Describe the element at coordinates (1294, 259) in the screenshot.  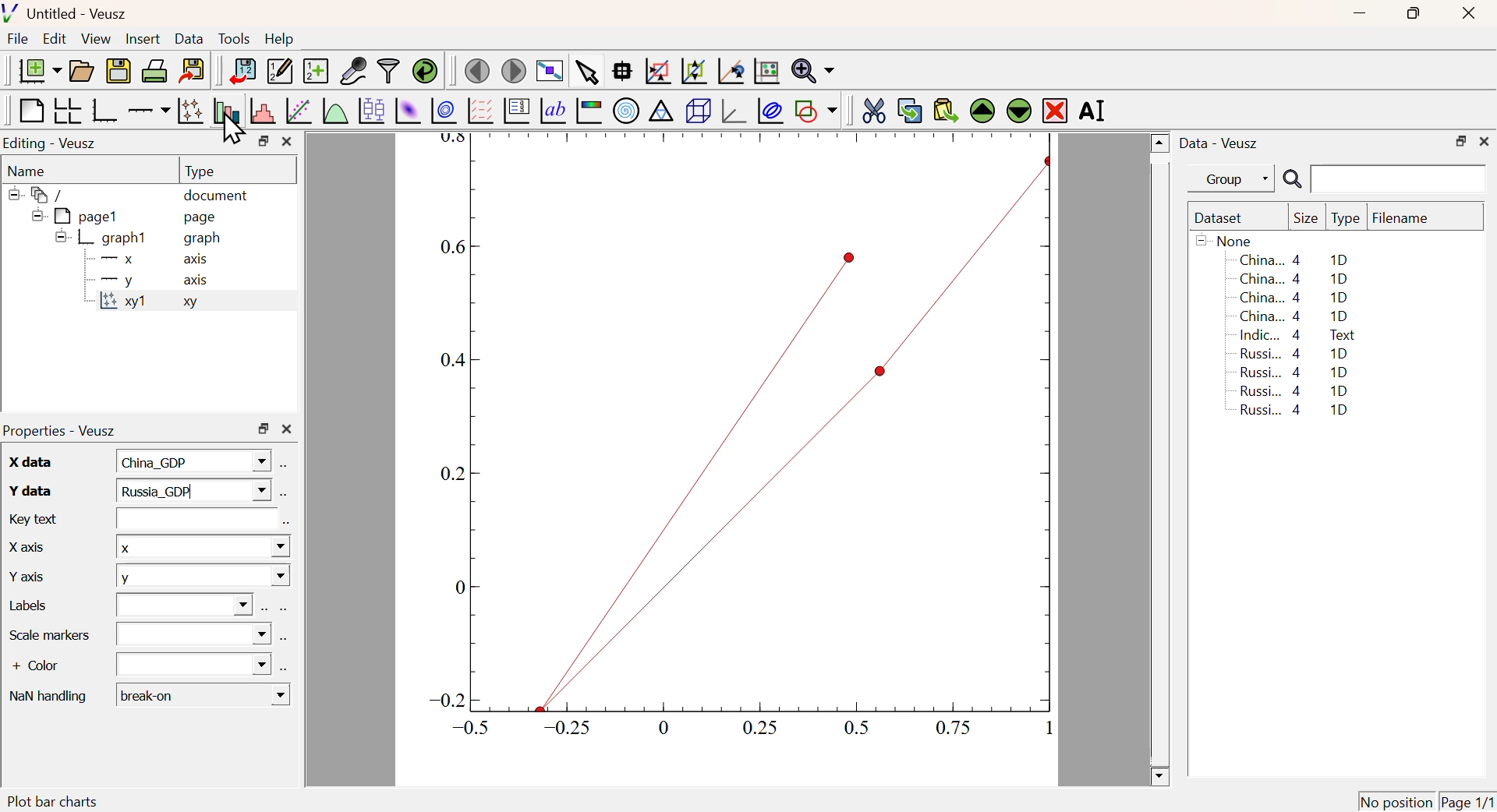
I see `China... 4 1D` at that location.